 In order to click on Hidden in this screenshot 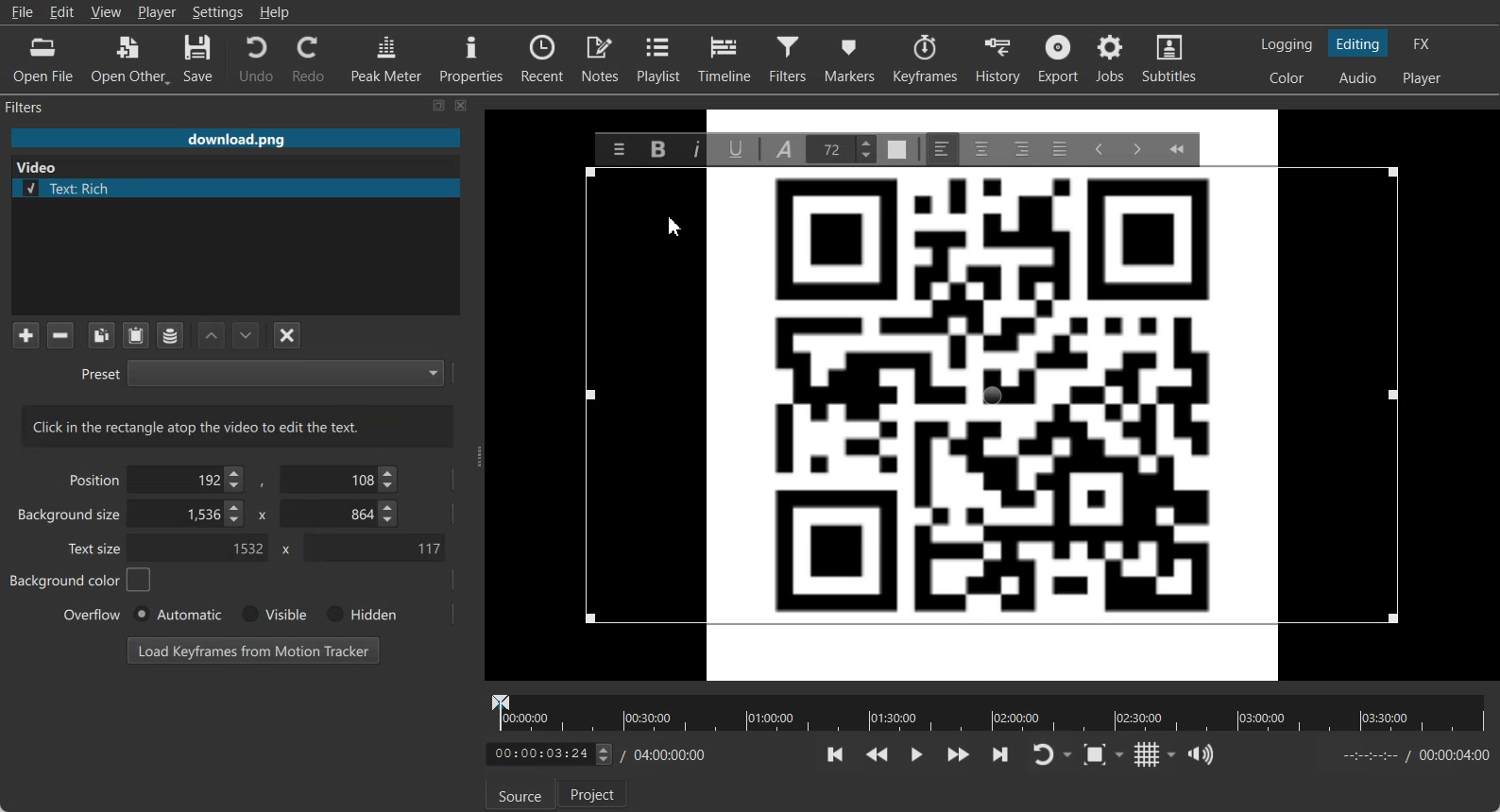, I will do `click(358, 614)`.